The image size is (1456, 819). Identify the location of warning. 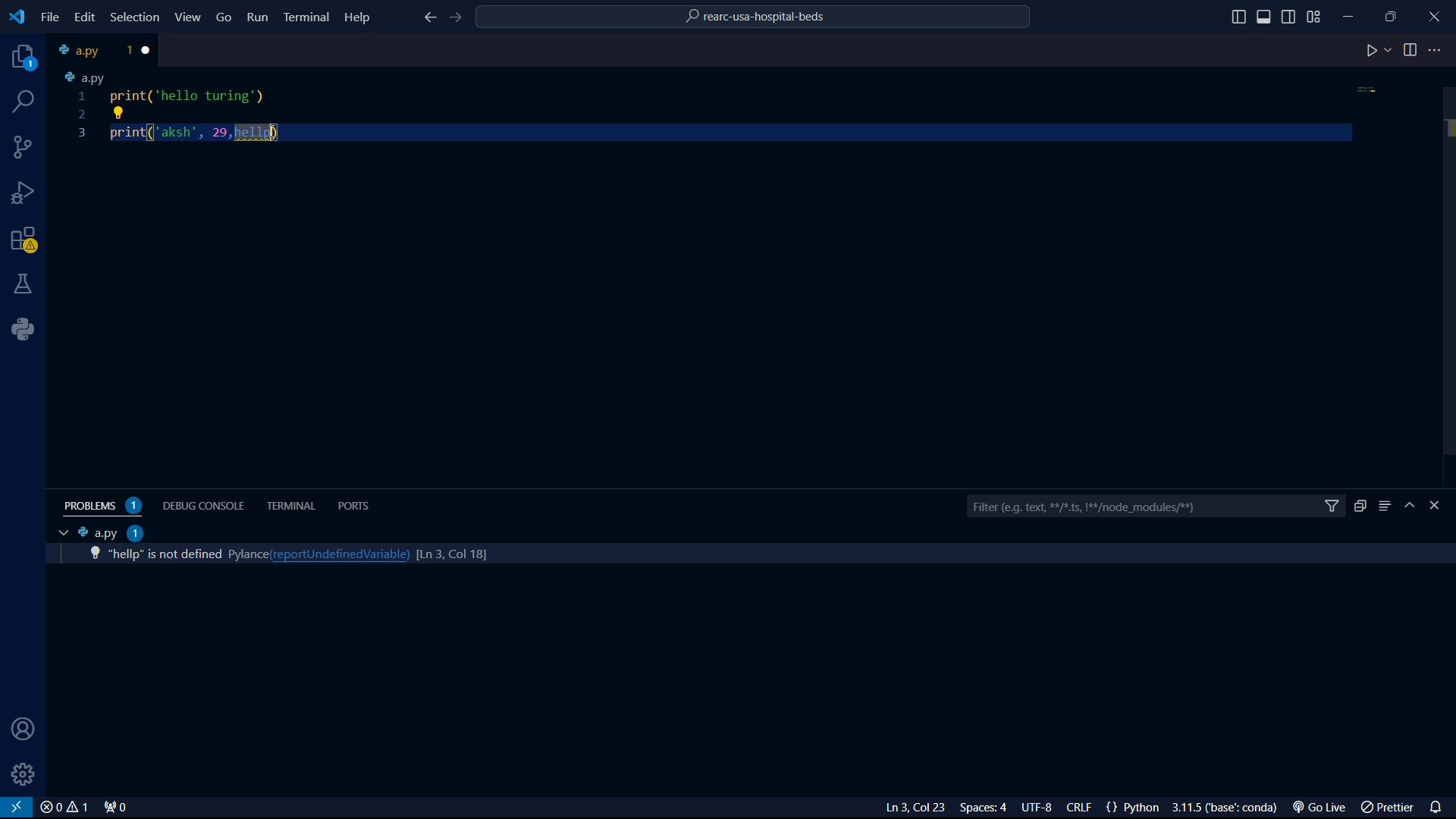
(24, 242).